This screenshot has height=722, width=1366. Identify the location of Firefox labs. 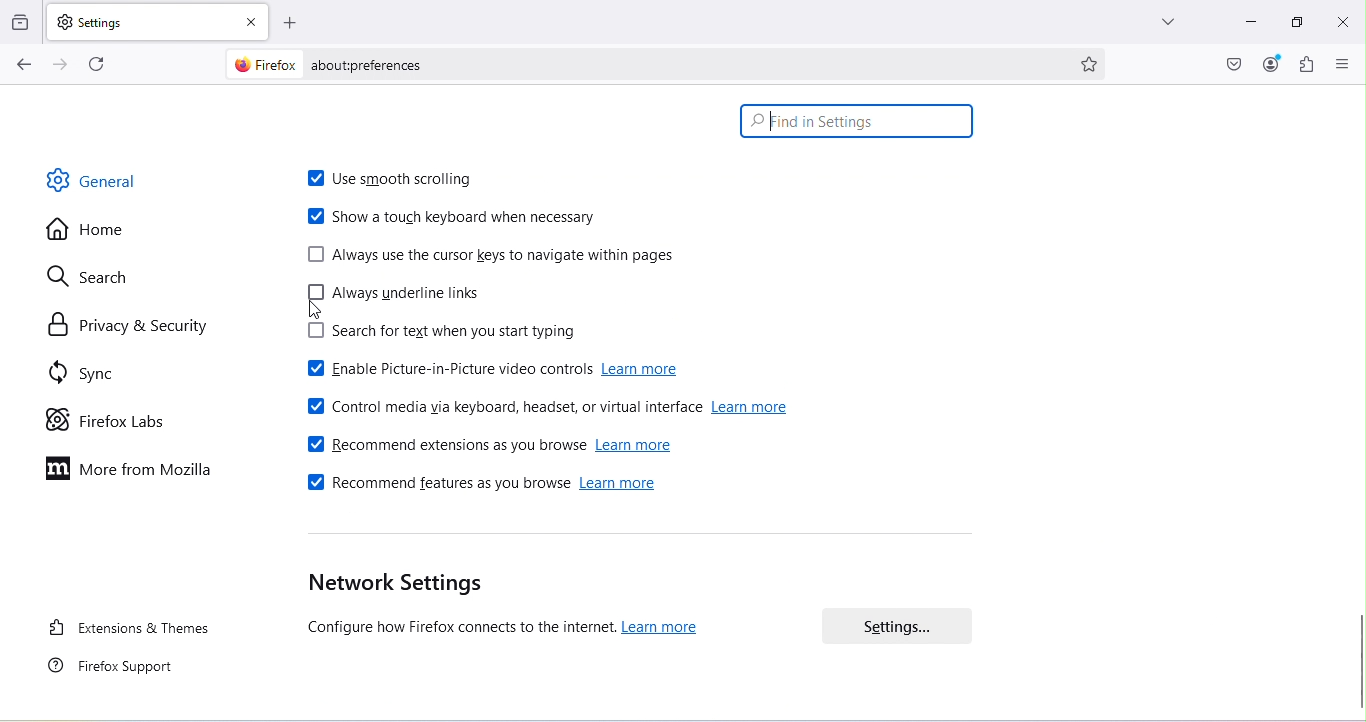
(94, 418).